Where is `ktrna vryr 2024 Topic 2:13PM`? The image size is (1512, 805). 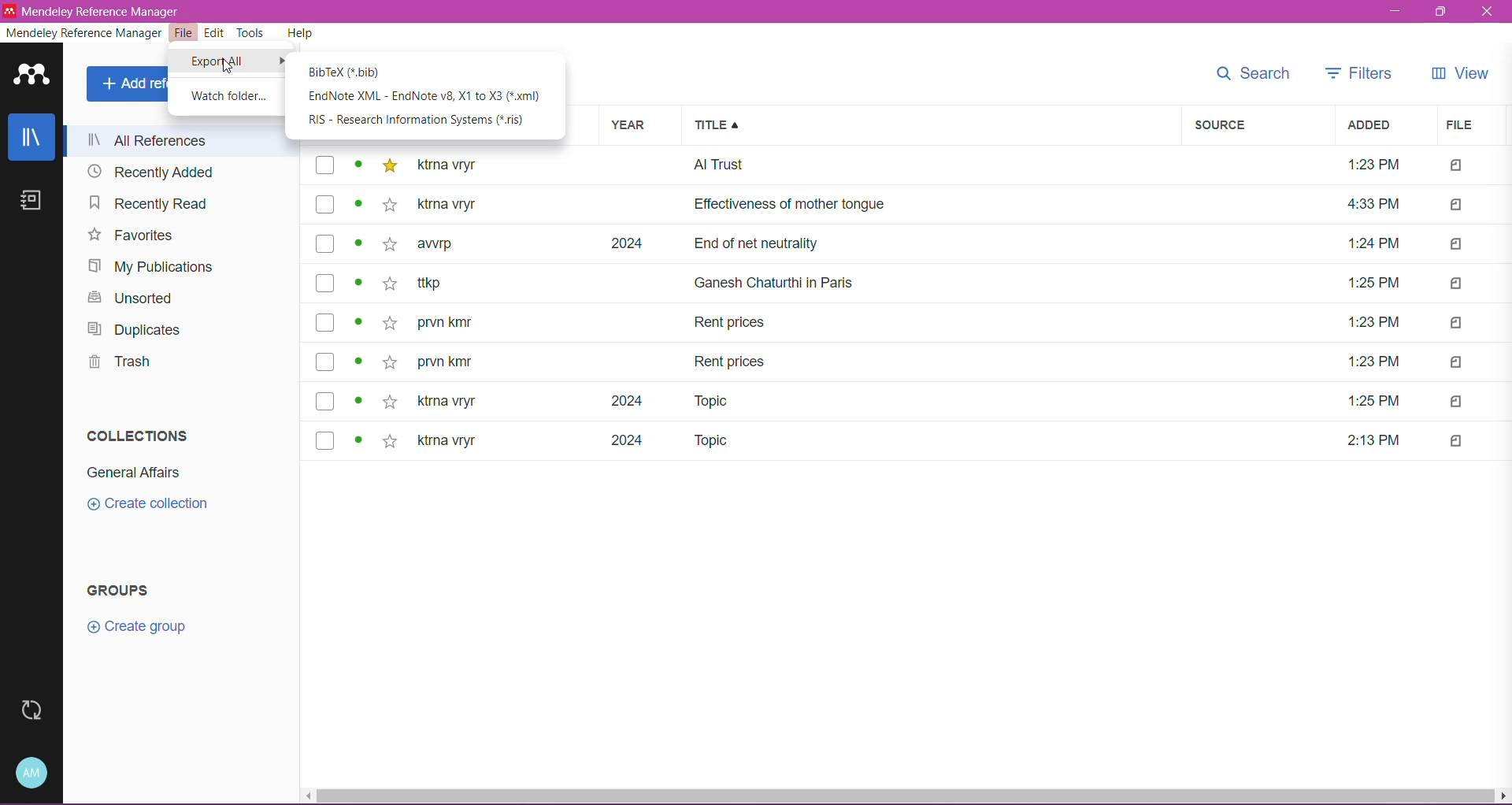 ktrna vryr 2024 Topic 2:13PM is located at coordinates (909, 441).